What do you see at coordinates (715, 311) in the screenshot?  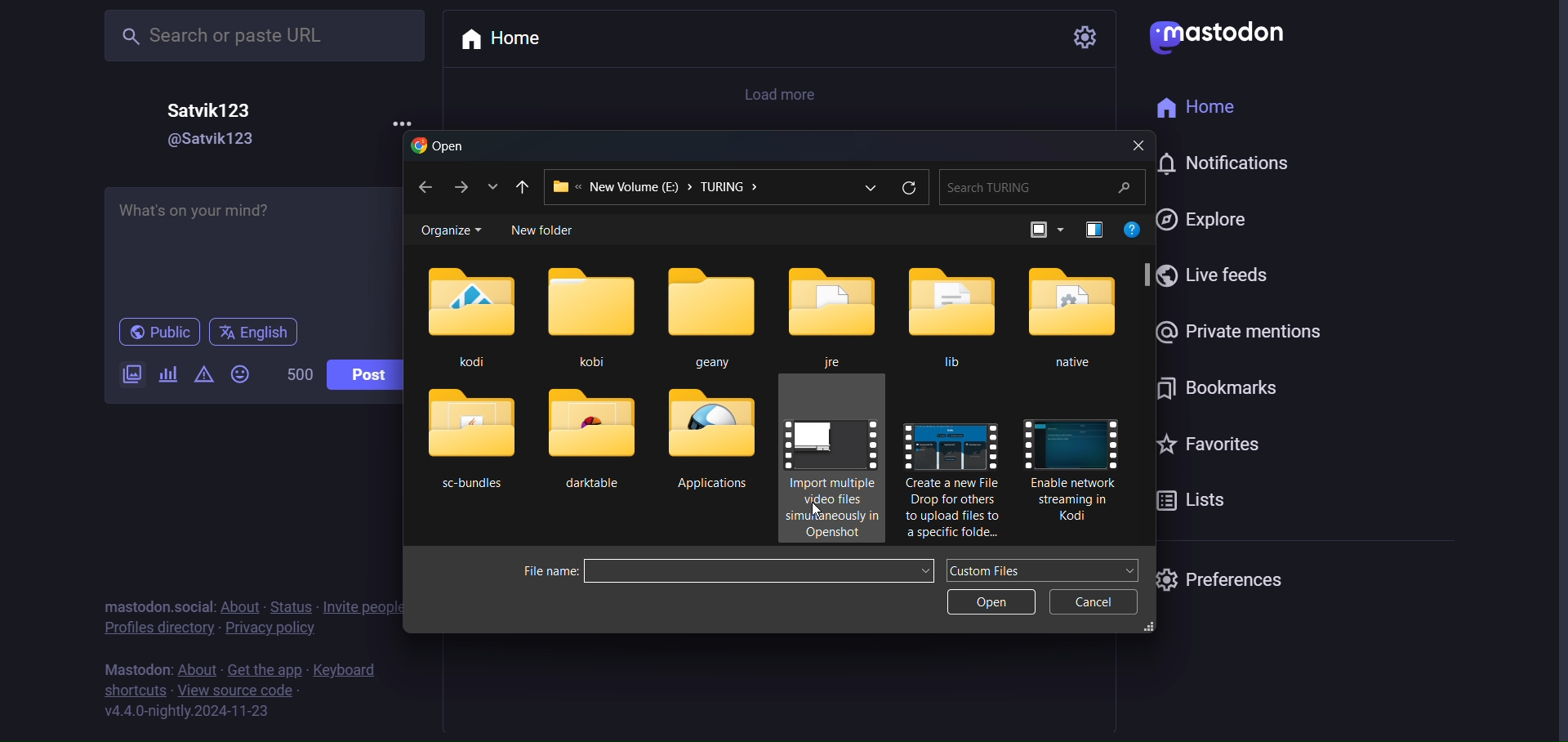 I see `geany` at bounding box center [715, 311].